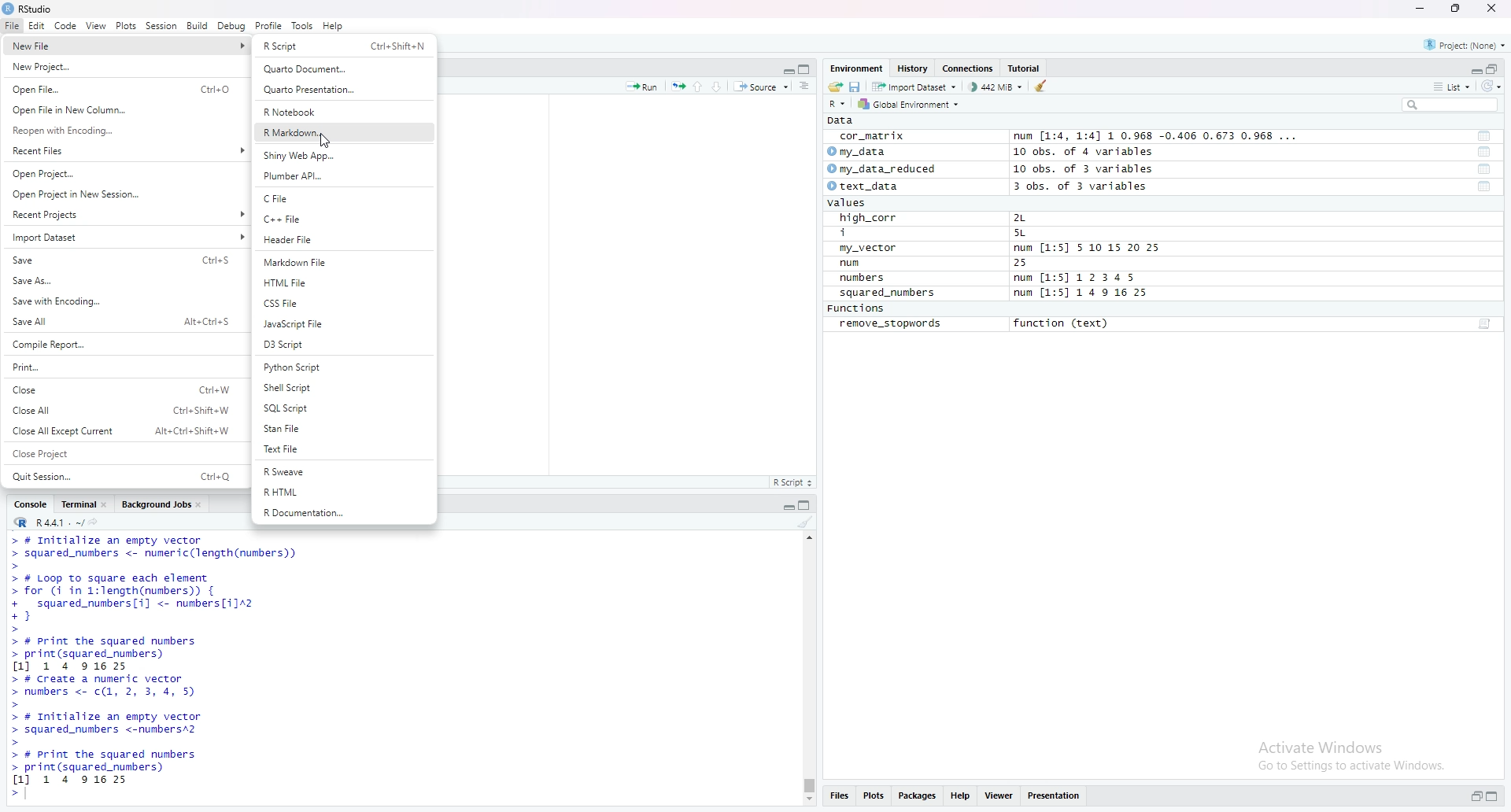 The height and width of the screenshot is (812, 1511). What do you see at coordinates (785, 70) in the screenshot?
I see `minimize` at bounding box center [785, 70].